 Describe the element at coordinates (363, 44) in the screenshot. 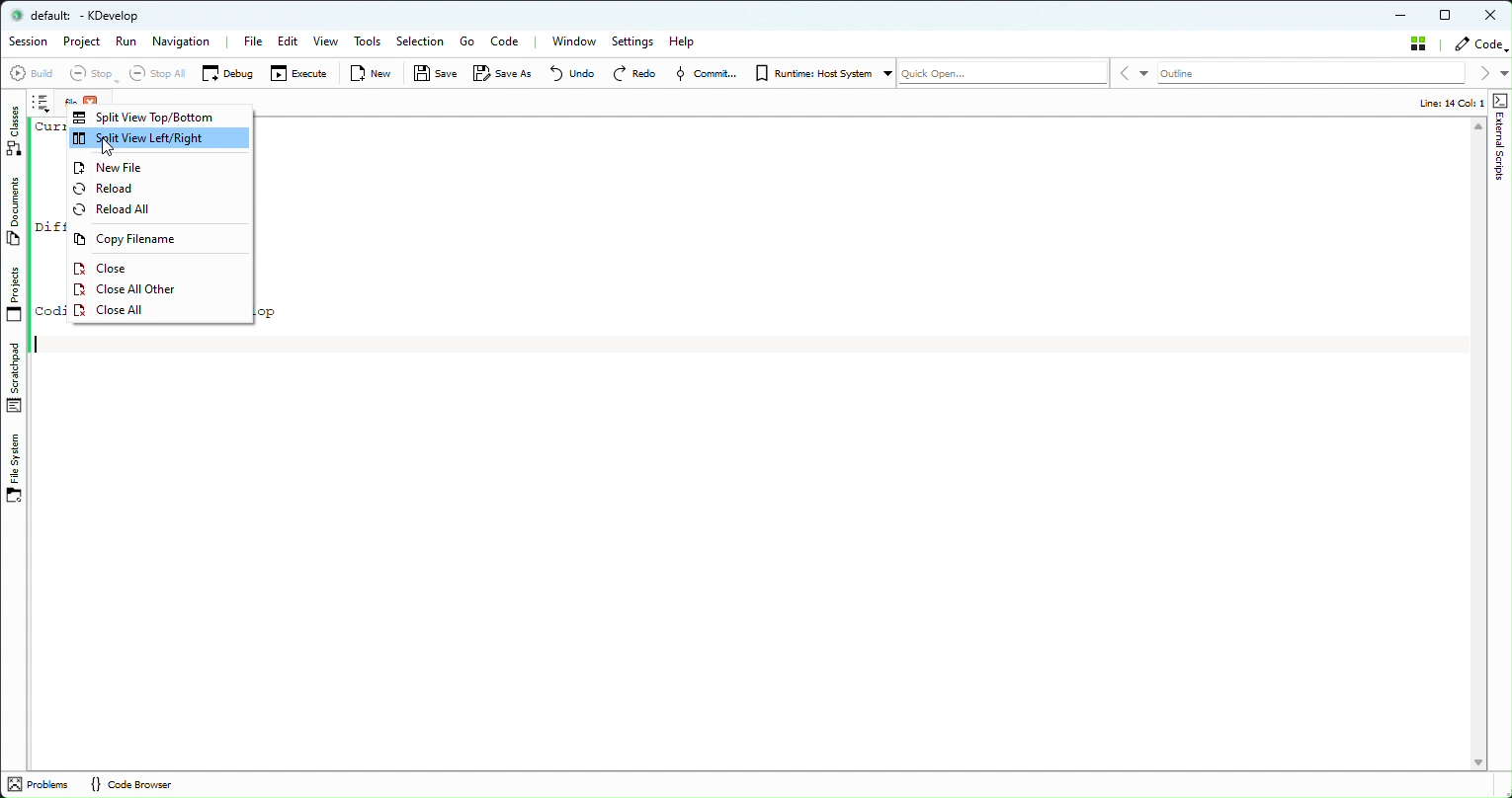

I see `Tools` at that location.